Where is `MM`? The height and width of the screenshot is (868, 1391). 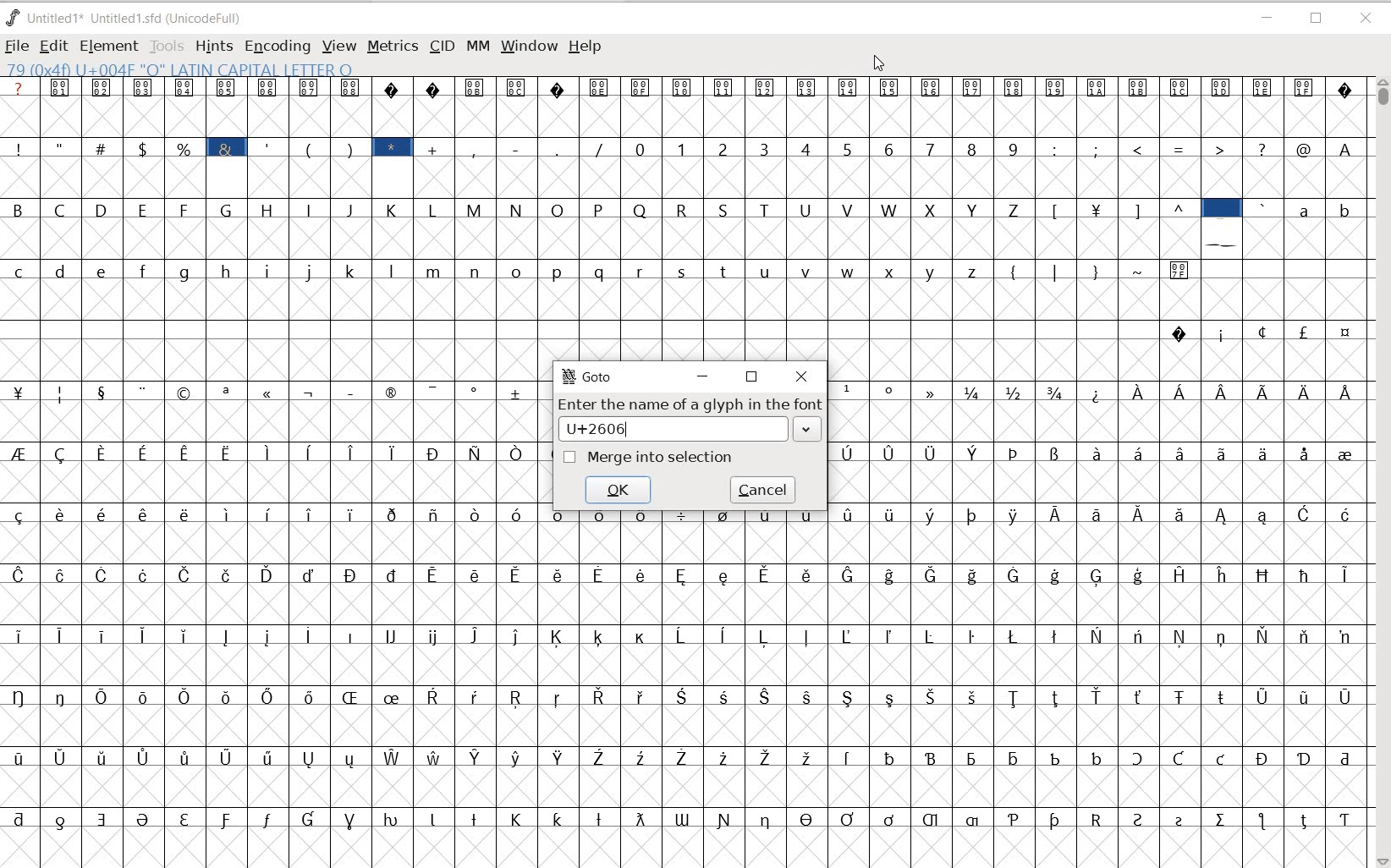 MM is located at coordinates (476, 45).